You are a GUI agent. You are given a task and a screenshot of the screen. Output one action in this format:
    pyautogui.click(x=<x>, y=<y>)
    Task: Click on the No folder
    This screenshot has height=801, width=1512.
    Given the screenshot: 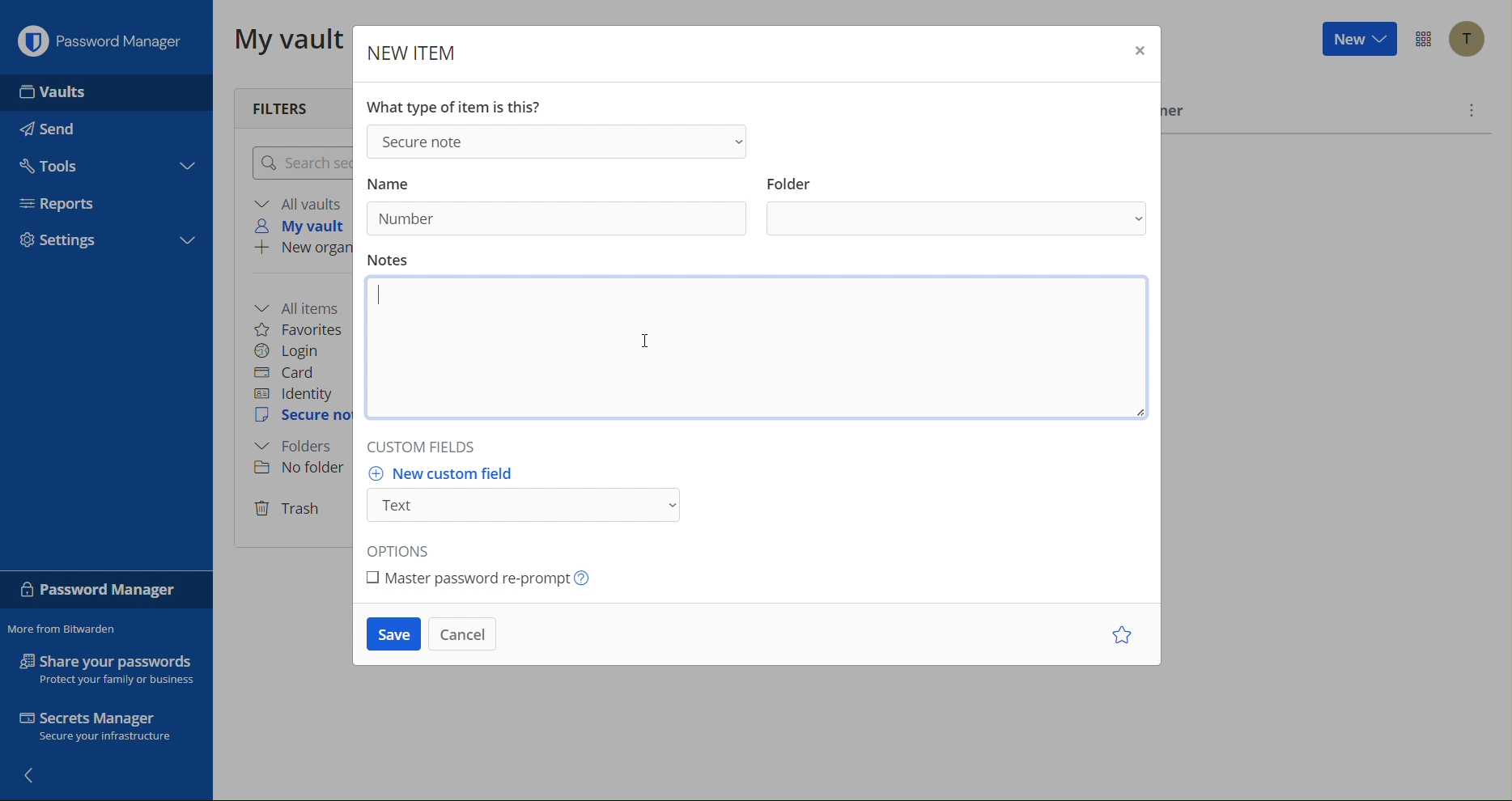 What is the action you would take?
    pyautogui.click(x=298, y=469)
    